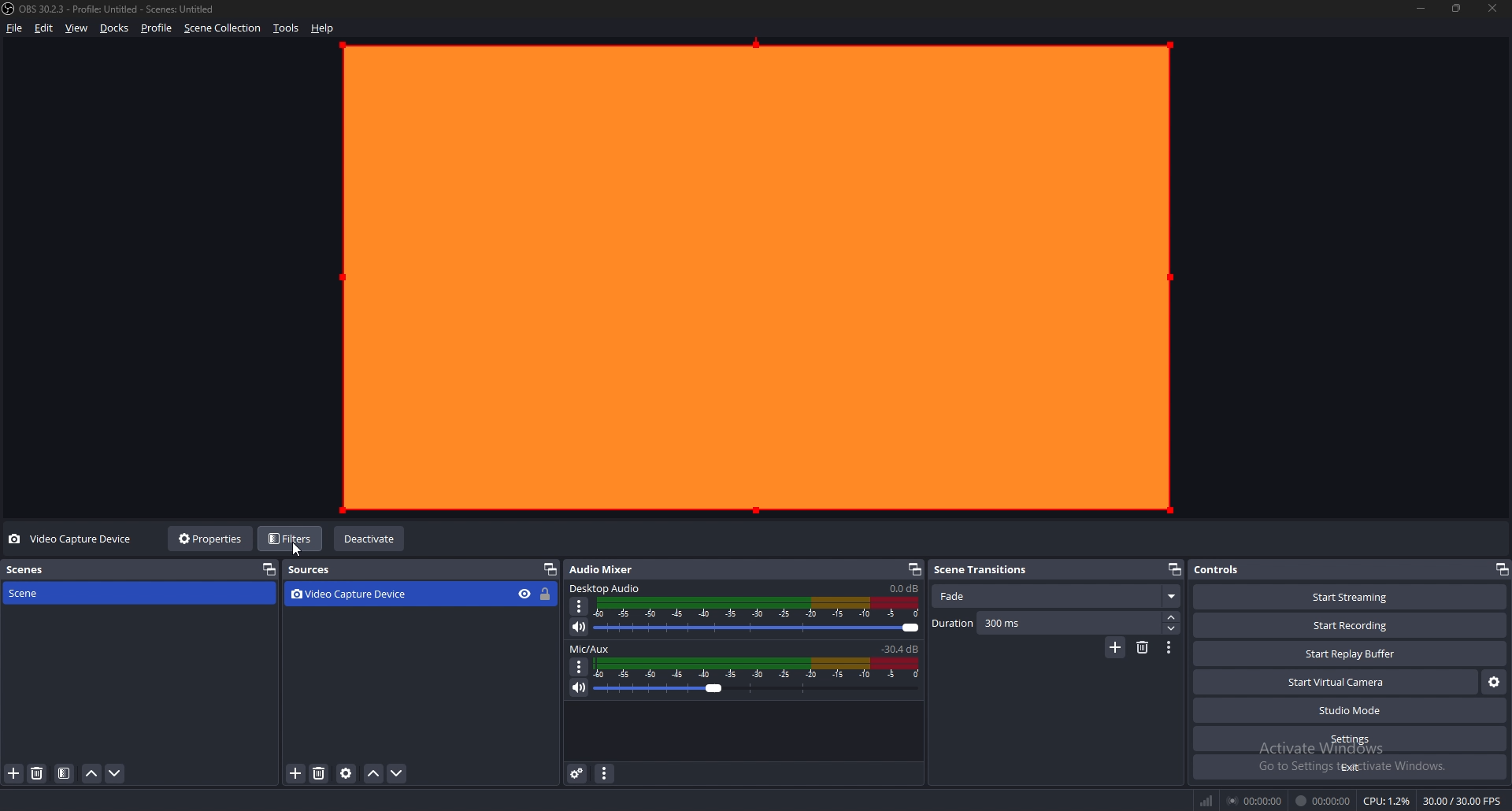  Describe the element at coordinates (78, 569) in the screenshot. I see `scenes` at that location.